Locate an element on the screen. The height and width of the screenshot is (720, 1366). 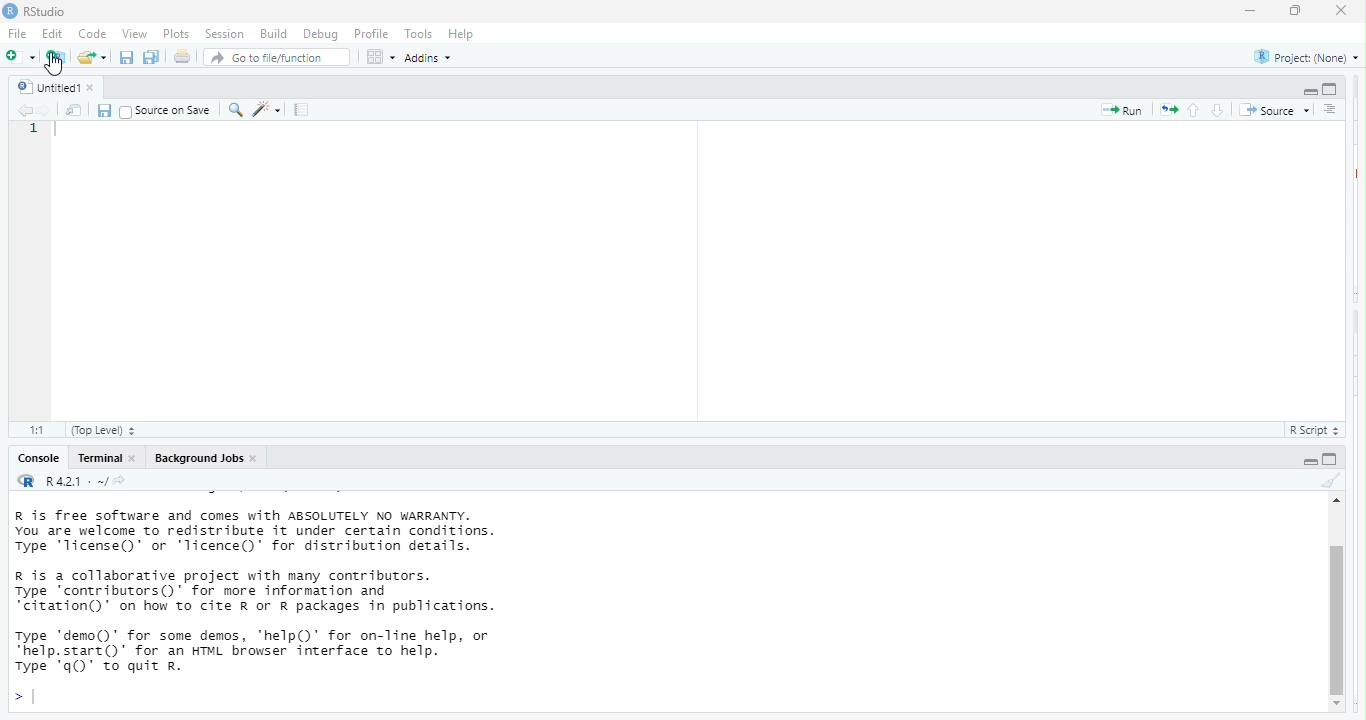
 Source on Save is located at coordinates (166, 111).